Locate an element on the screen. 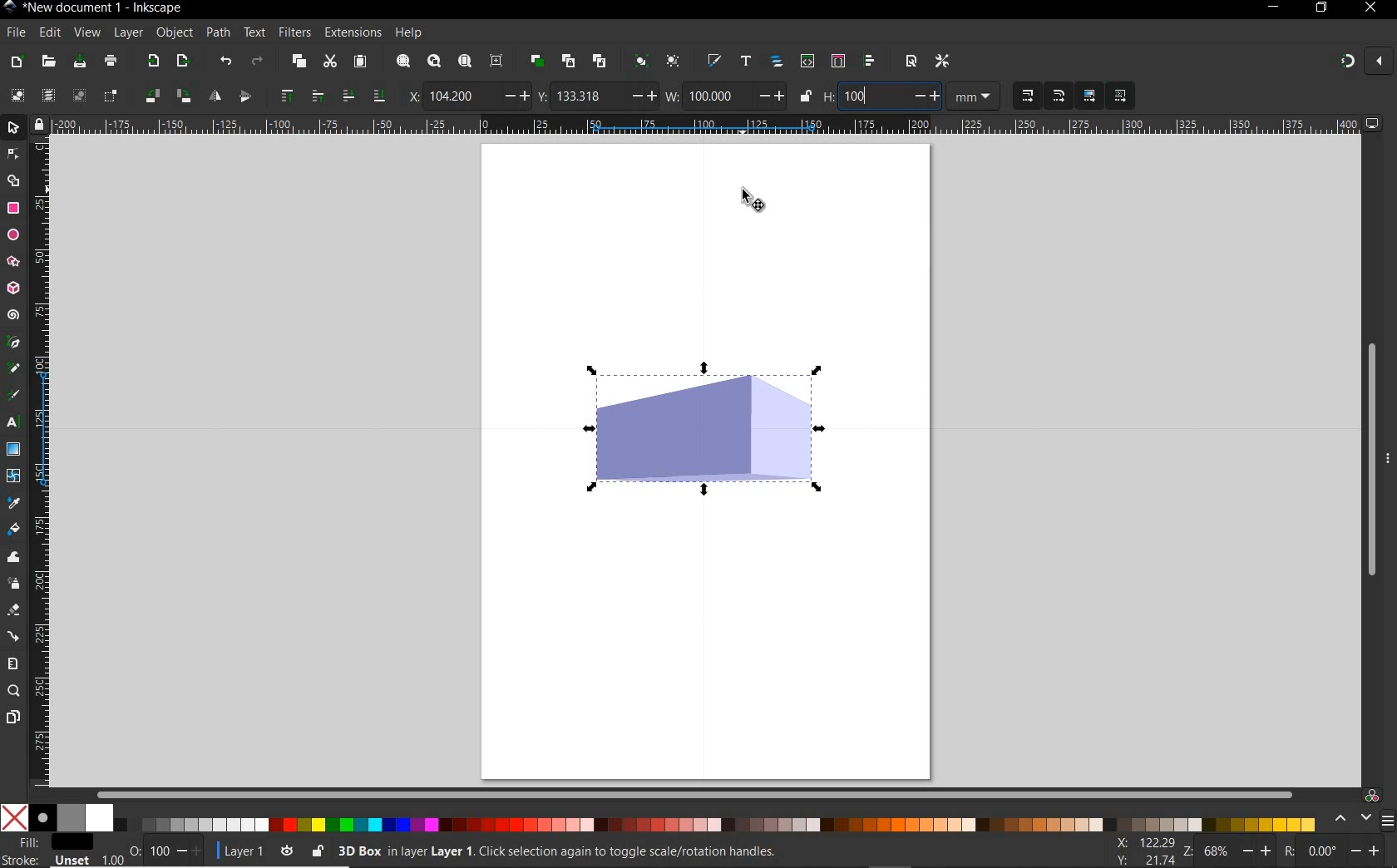 The height and width of the screenshot is (868, 1397). open objects is located at coordinates (777, 60).